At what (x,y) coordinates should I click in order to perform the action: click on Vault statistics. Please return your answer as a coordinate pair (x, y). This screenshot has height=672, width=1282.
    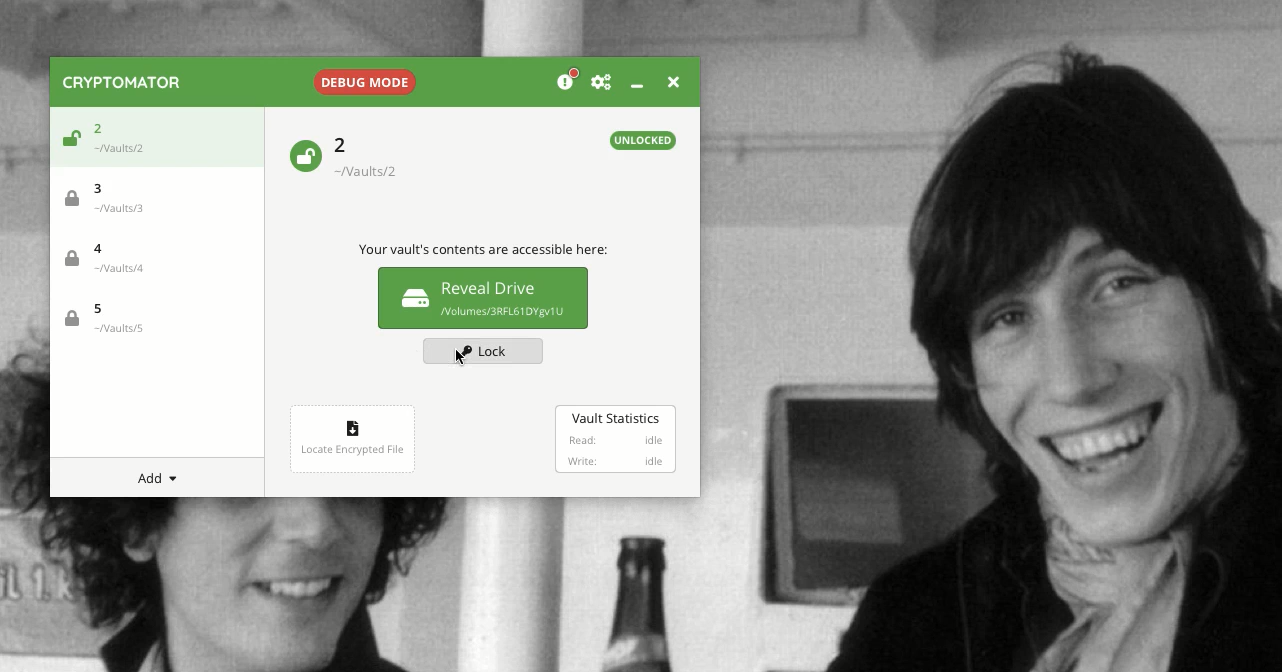
    Looking at the image, I should click on (614, 440).